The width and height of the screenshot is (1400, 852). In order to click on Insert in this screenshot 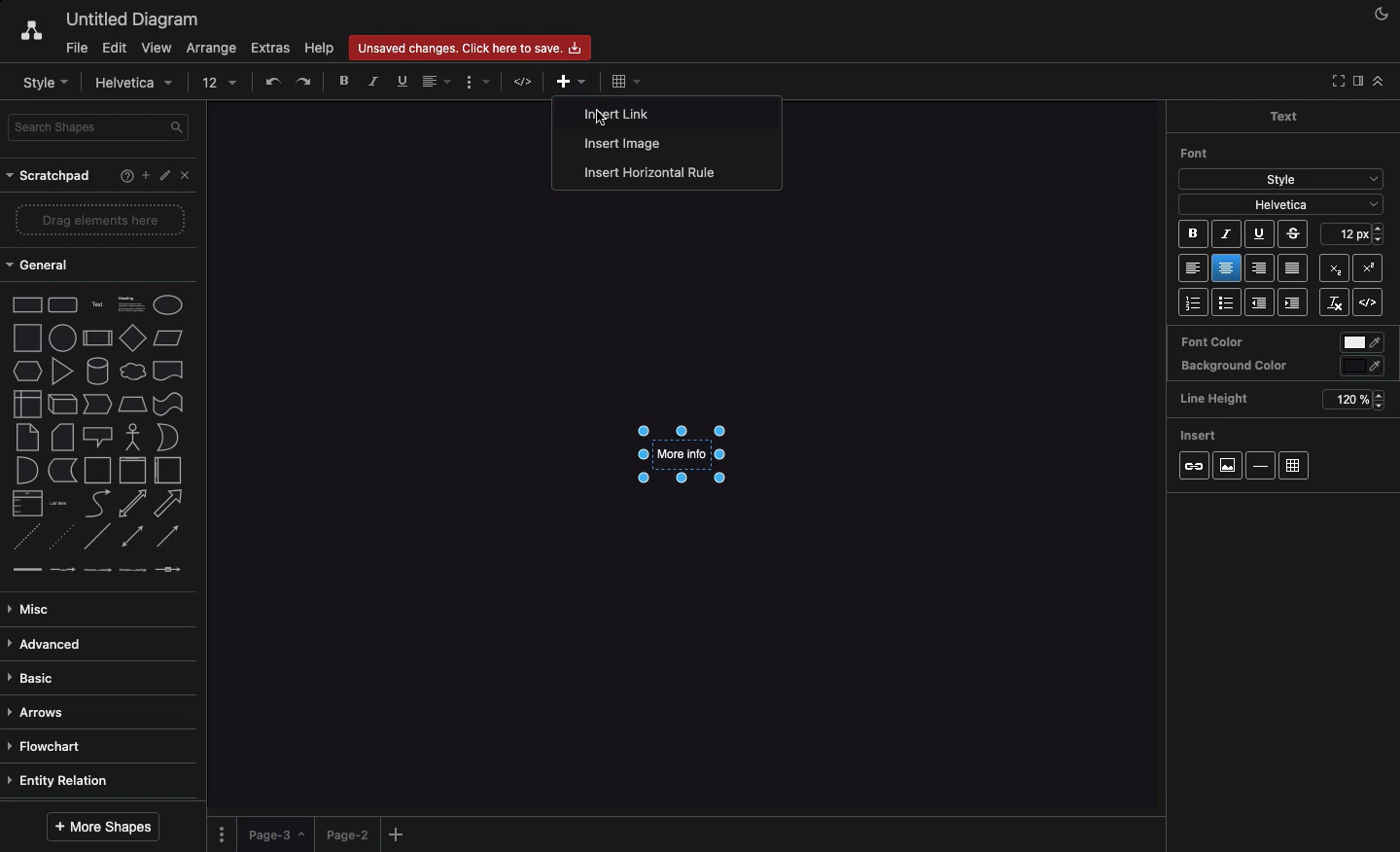, I will do `click(1200, 432)`.